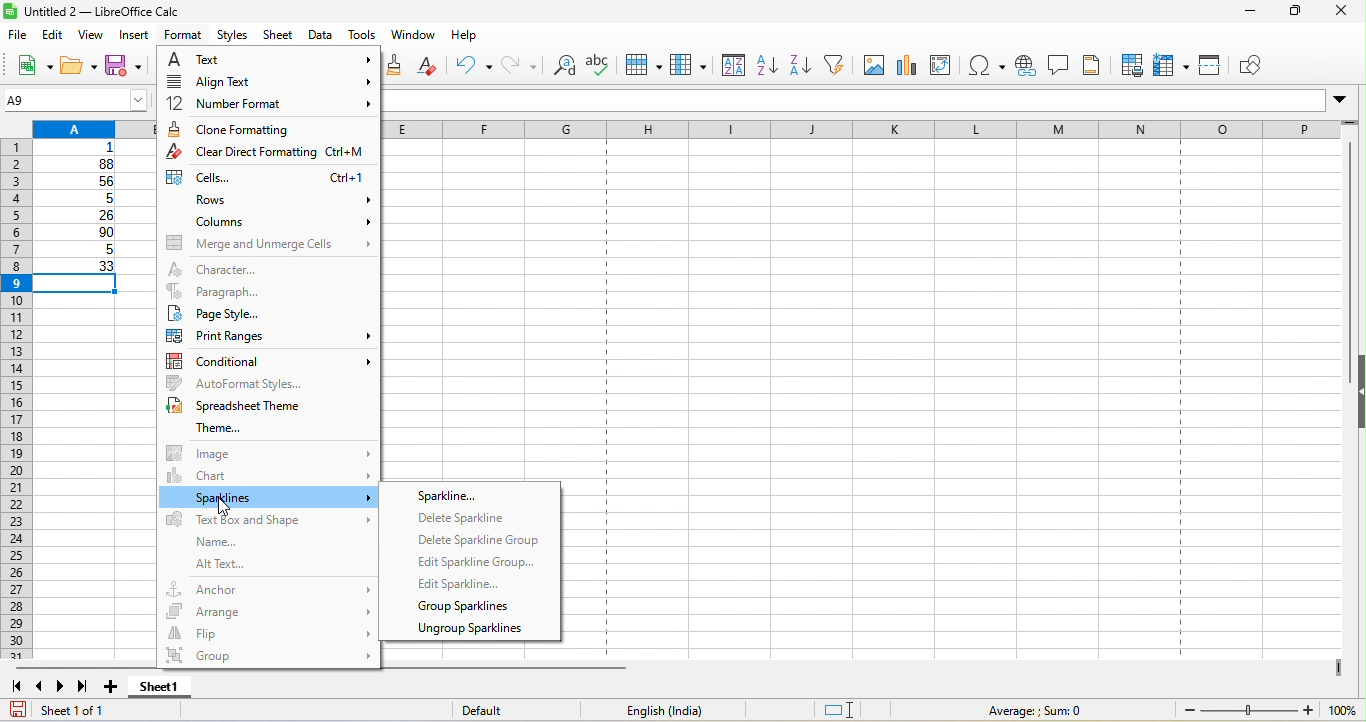 This screenshot has width=1366, height=722. Describe the element at coordinates (1024, 68) in the screenshot. I see `hyperlink` at that location.